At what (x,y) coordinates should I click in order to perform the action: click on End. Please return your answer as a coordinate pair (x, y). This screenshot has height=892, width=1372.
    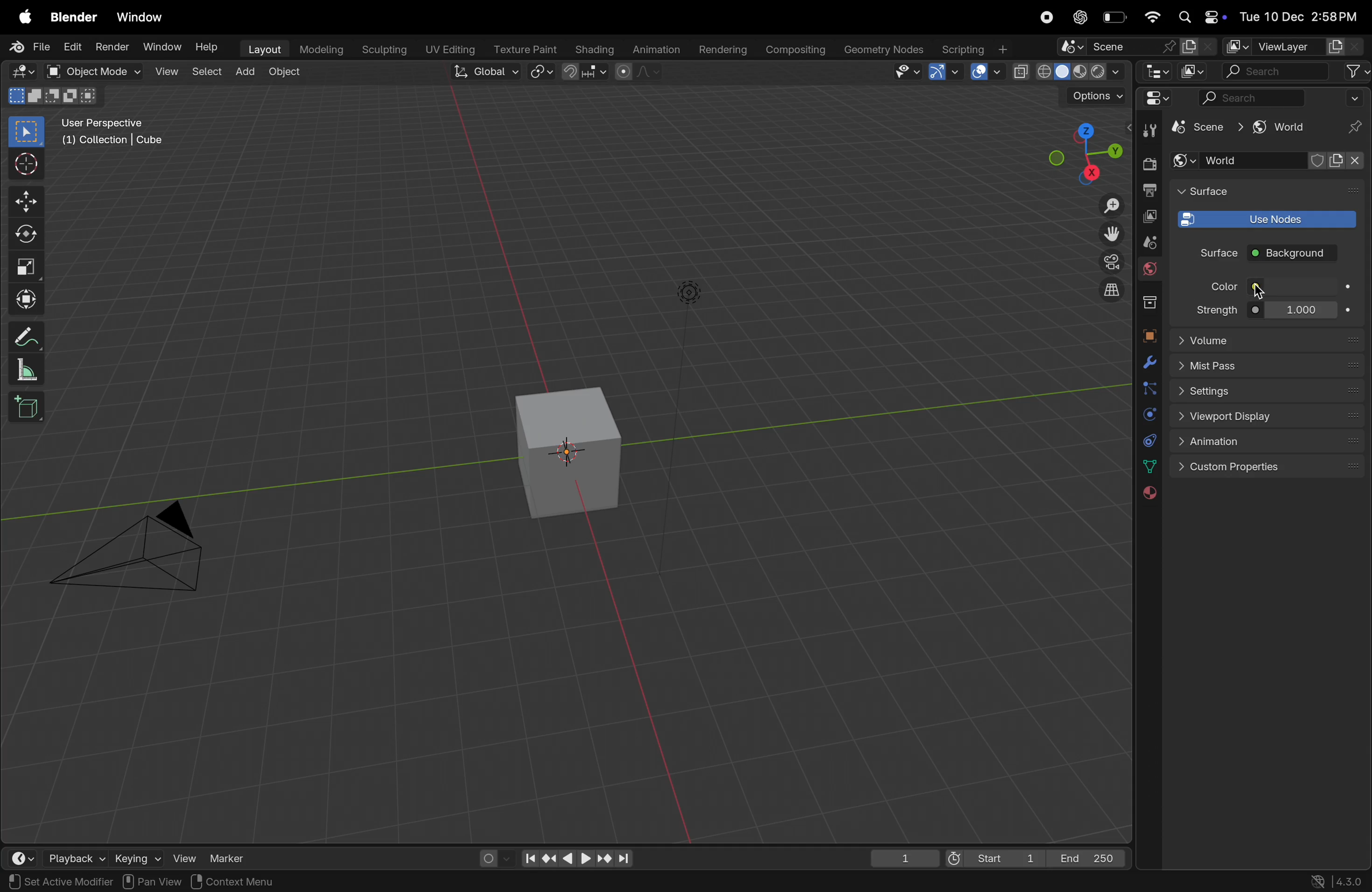
    Looking at the image, I should click on (1090, 856).